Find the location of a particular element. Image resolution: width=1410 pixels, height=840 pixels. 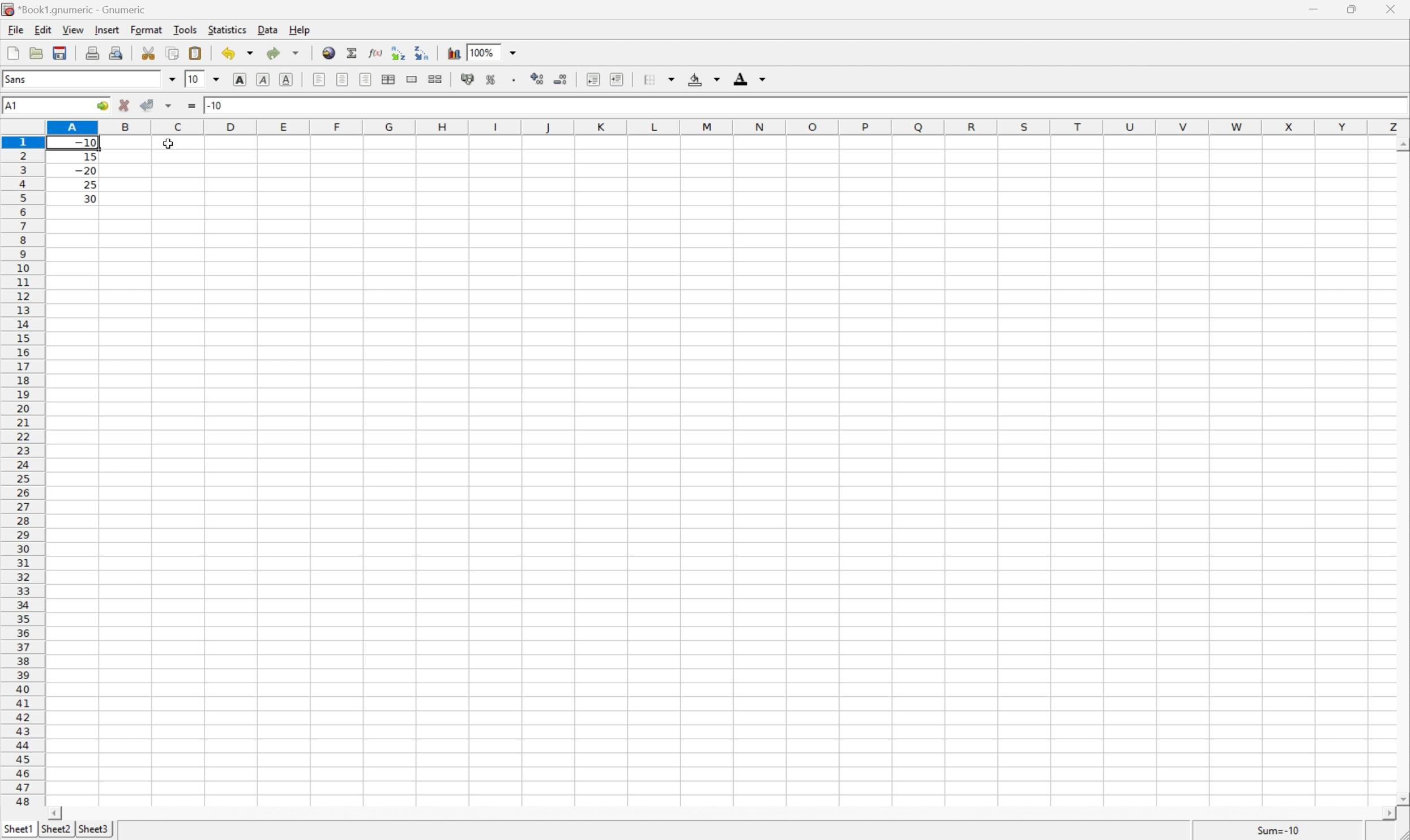

Enter formula is located at coordinates (194, 107).